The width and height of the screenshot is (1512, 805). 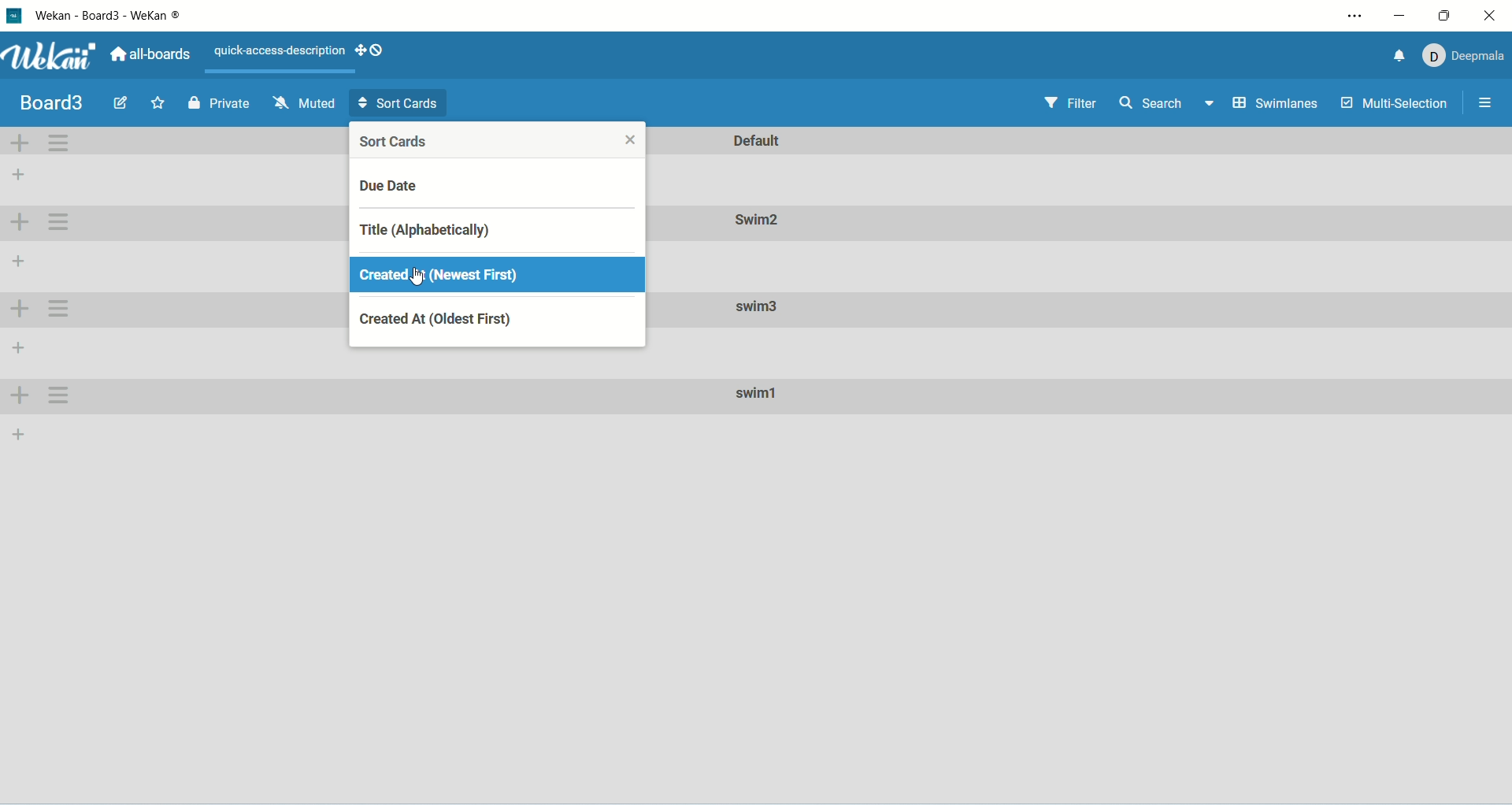 What do you see at coordinates (20, 394) in the screenshot?
I see `add swimlane` at bounding box center [20, 394].